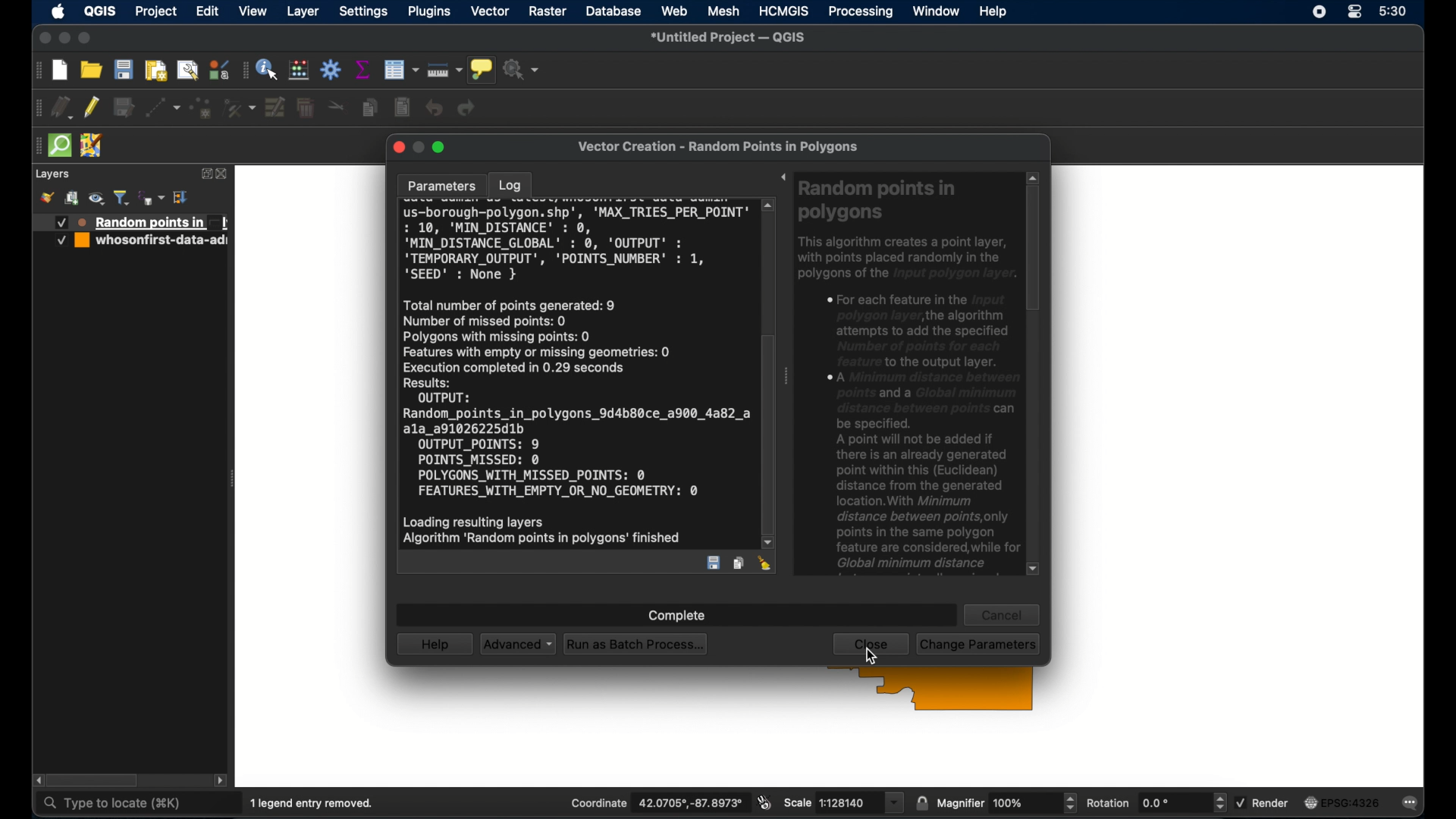 This screenshot has height=819, width=1456. Describe the element at coordinates (34, 108) in the screenshot. I see `drag handle` at that location.